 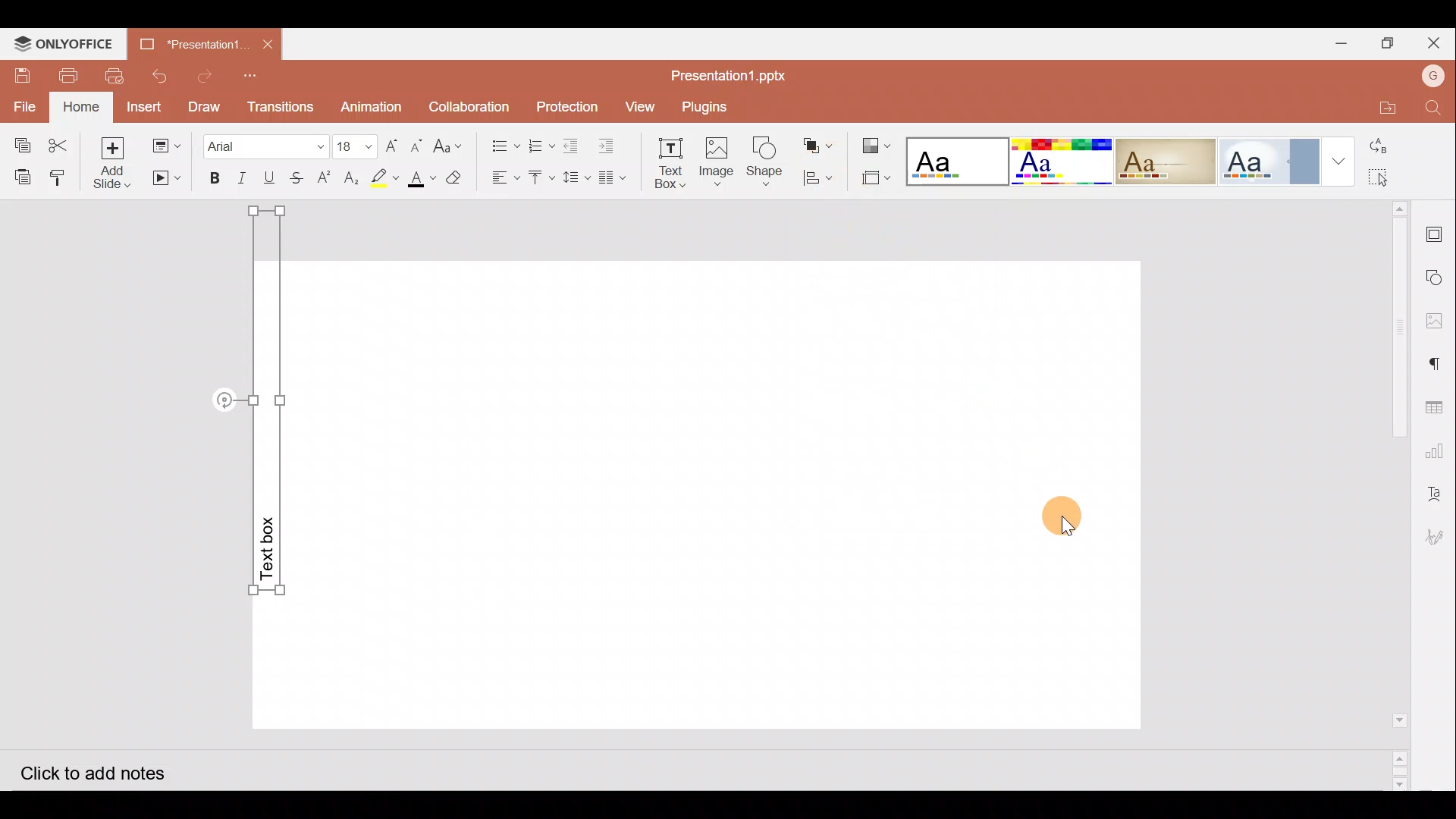 What do you see at coordinates (1165, 158) in the screenshot?
I see `Classic` at bounding box center [1165, 158].